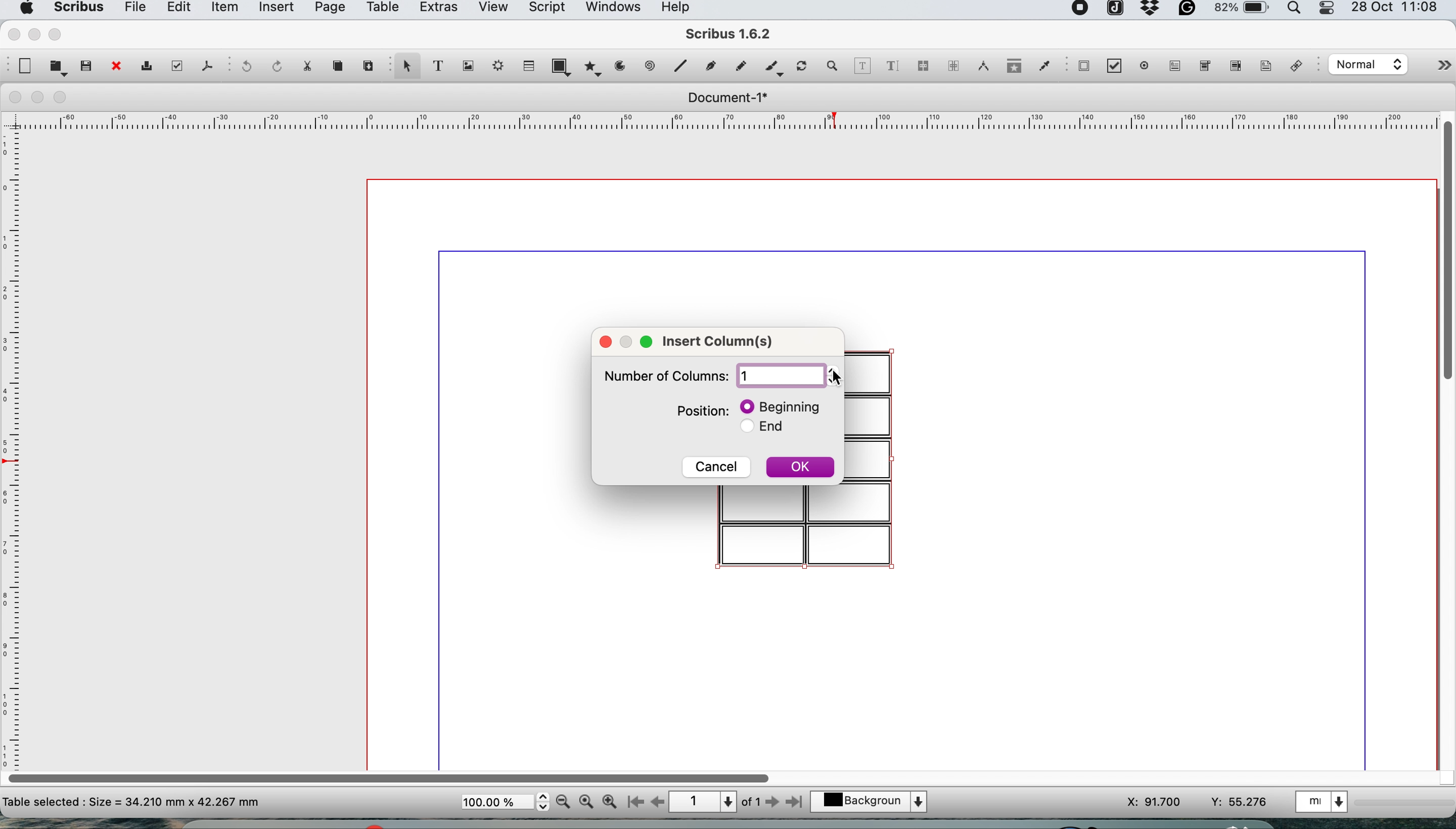 Image resolution: width=1456 pixels, height=829 pixels. I want to click on close, so click(115, 67).